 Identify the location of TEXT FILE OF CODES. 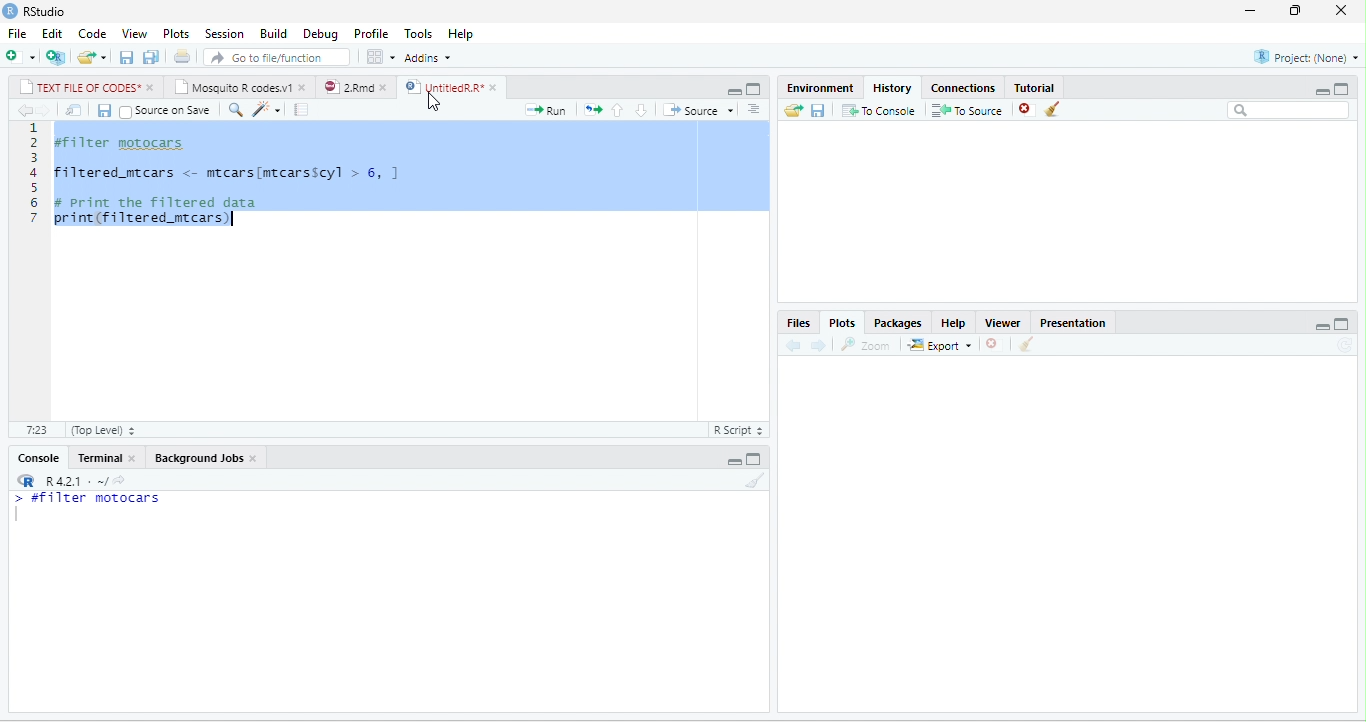
(80, 86).